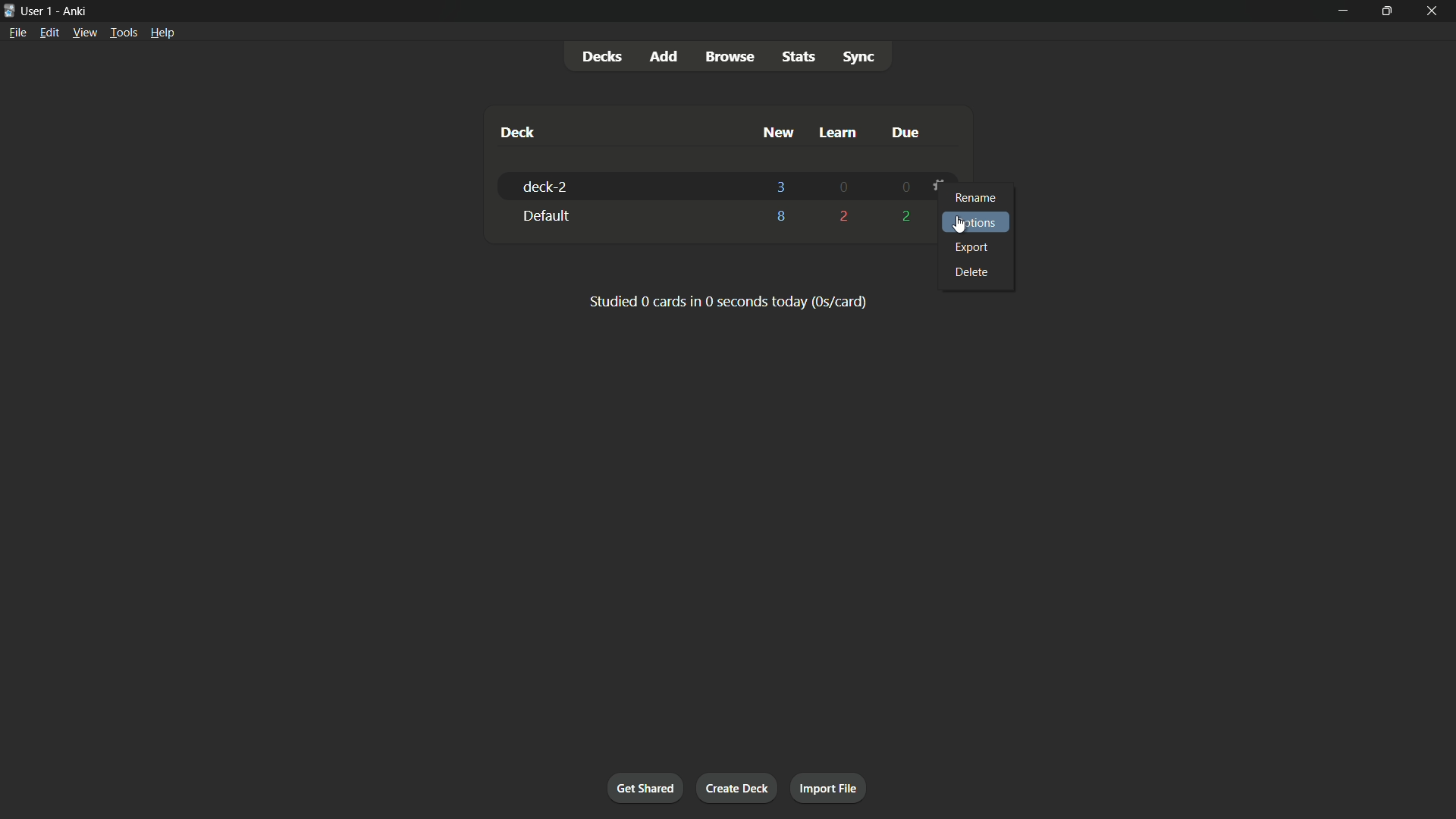 Image resolution: width=1456 pixels, height=819 pixels. What do you see at coordinates (777, 133) in the screenshot?
I see `new` at bounding box center [777, 133].